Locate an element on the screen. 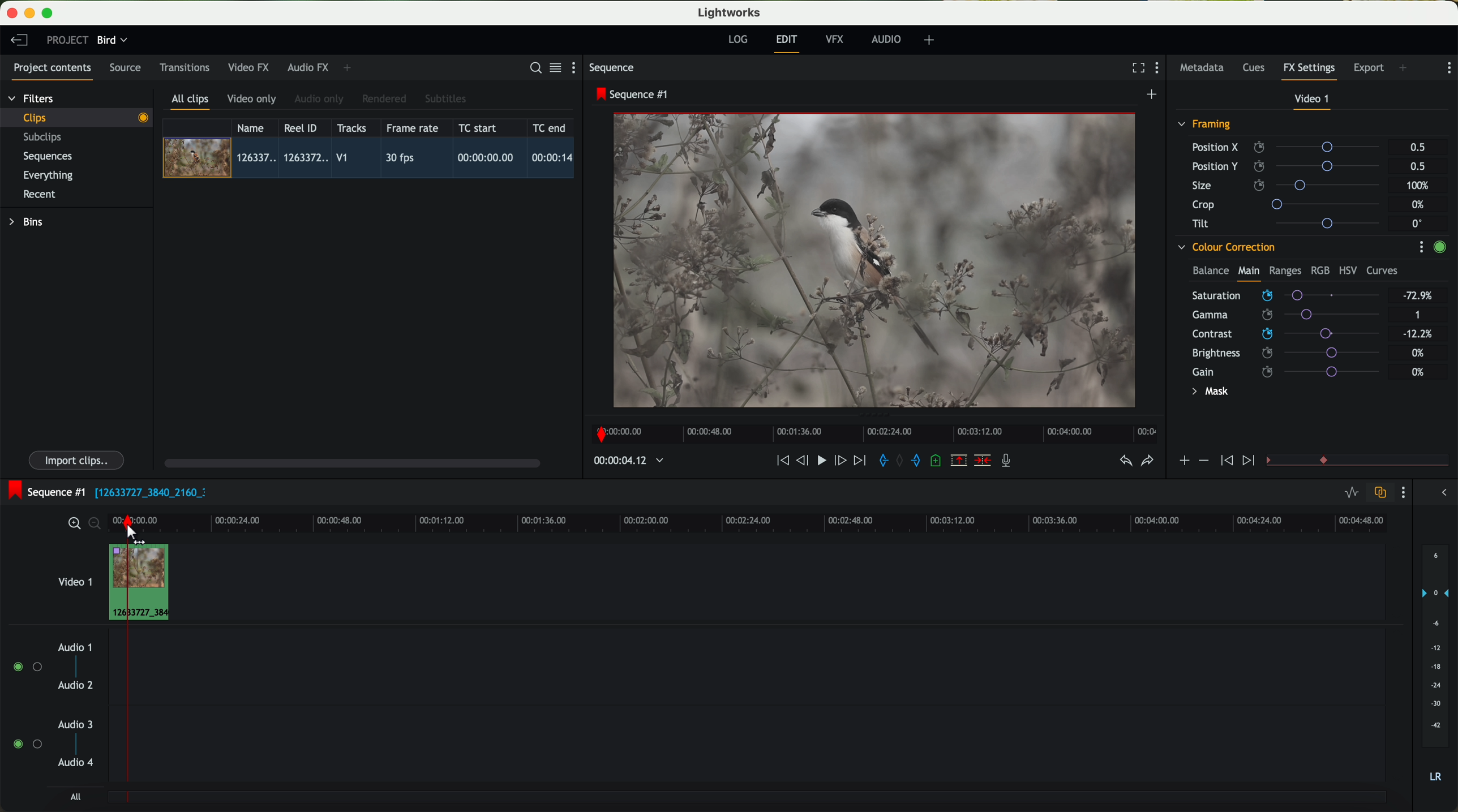  mouse up (saturation) is located at coordinates (1285, 293).